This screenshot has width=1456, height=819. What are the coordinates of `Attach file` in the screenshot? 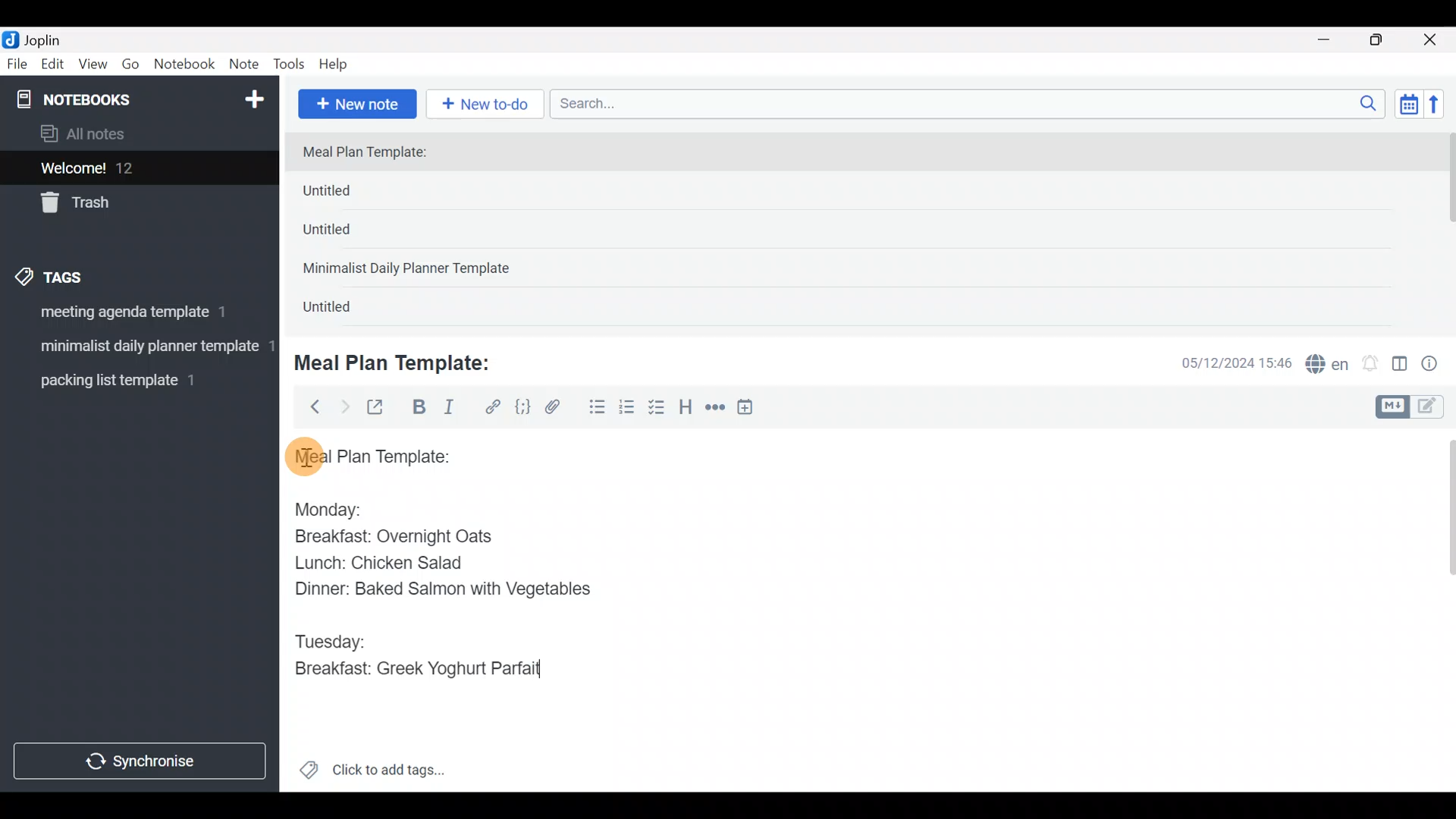 It's located at (557, 409).